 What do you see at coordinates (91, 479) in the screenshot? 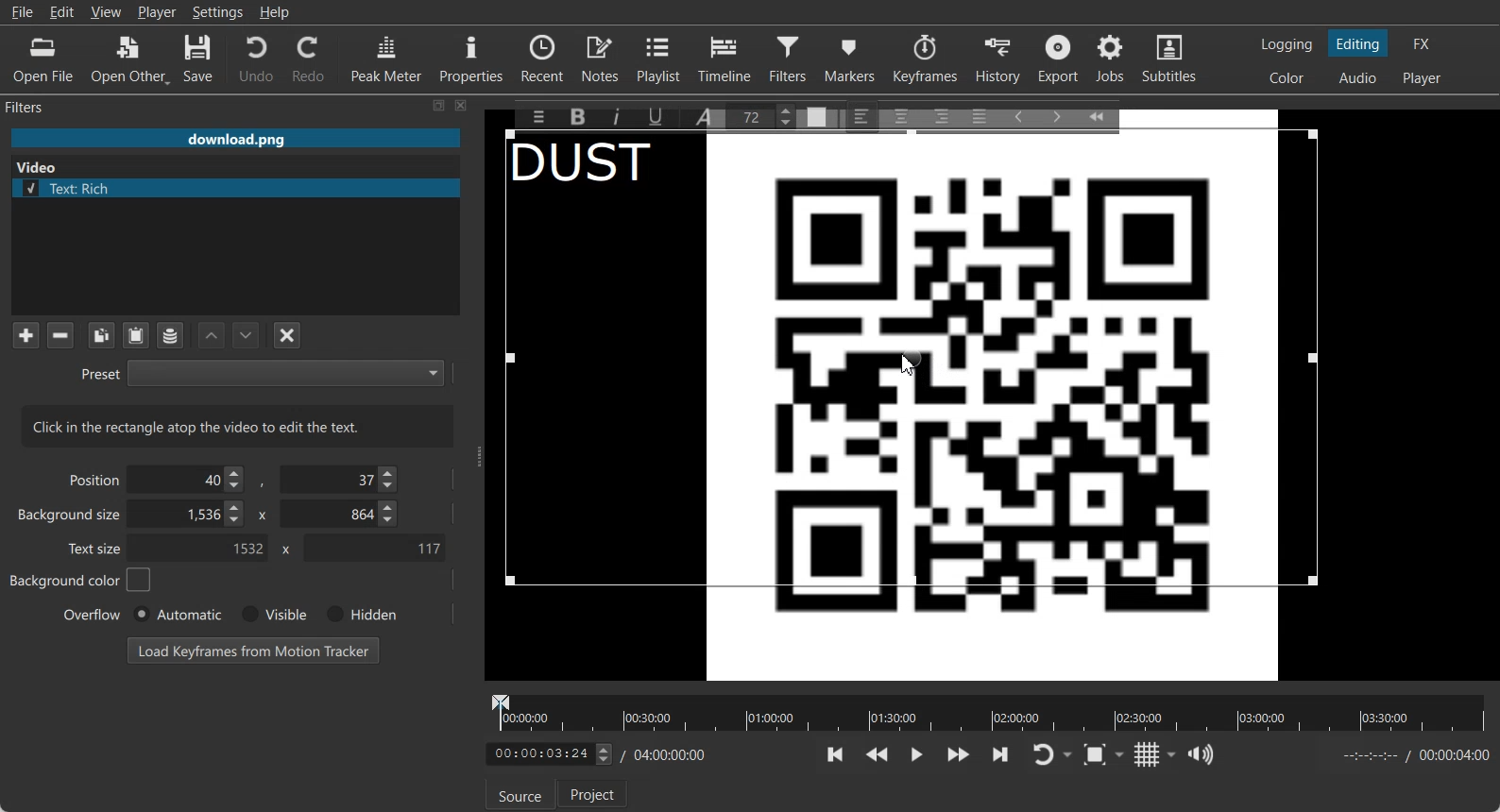
I see `Position` at bounding box center [91, 479].